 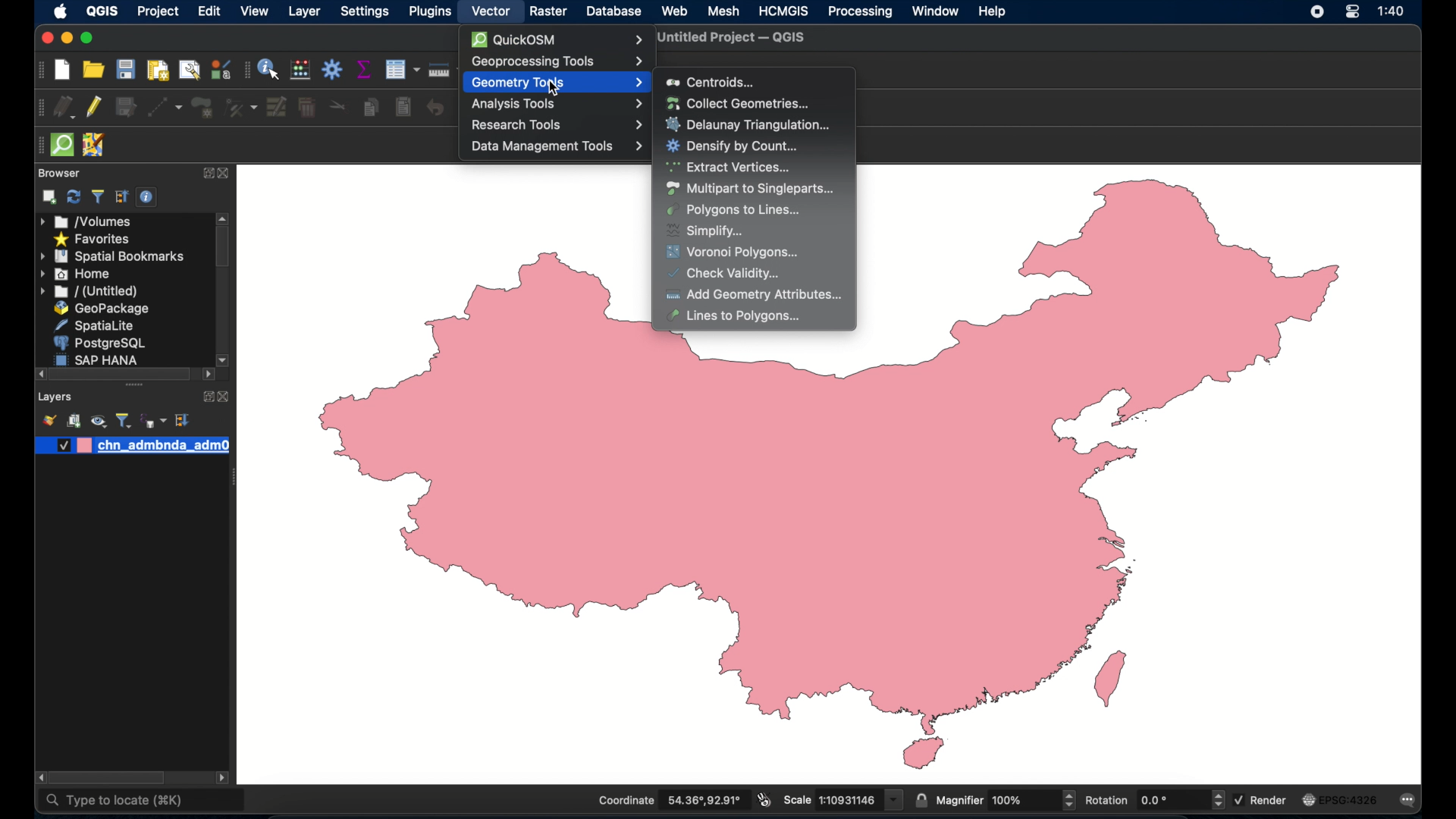 What do you see at coordinates (74, 196) in the screenshot?
I see `refresh` at bounding box center [74, 196].